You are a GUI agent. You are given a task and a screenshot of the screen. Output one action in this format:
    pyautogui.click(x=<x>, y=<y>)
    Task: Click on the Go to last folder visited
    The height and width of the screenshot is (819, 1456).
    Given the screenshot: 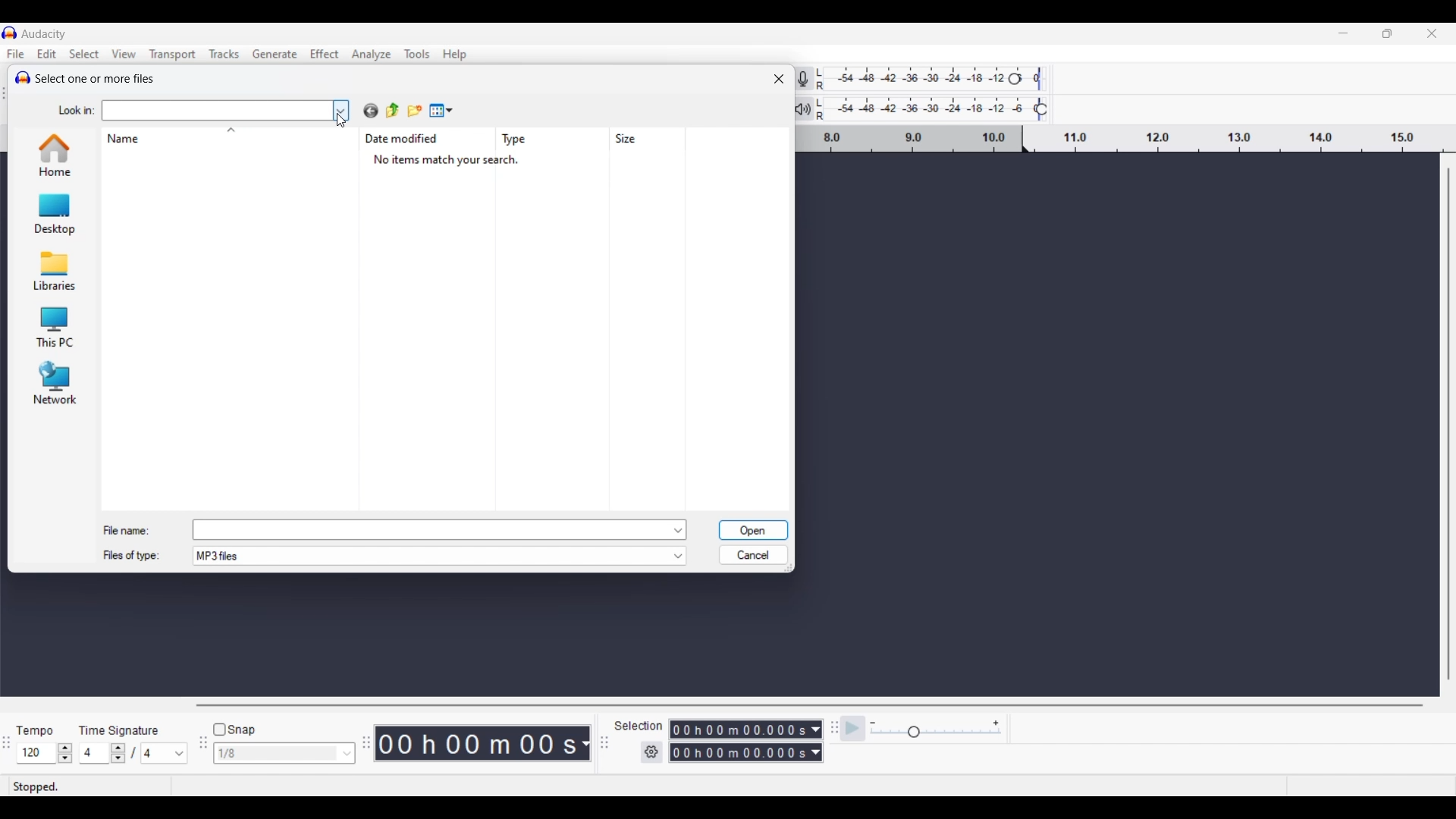 What is the action you would take?
    pyautogui.click(x=371, y=111)
    